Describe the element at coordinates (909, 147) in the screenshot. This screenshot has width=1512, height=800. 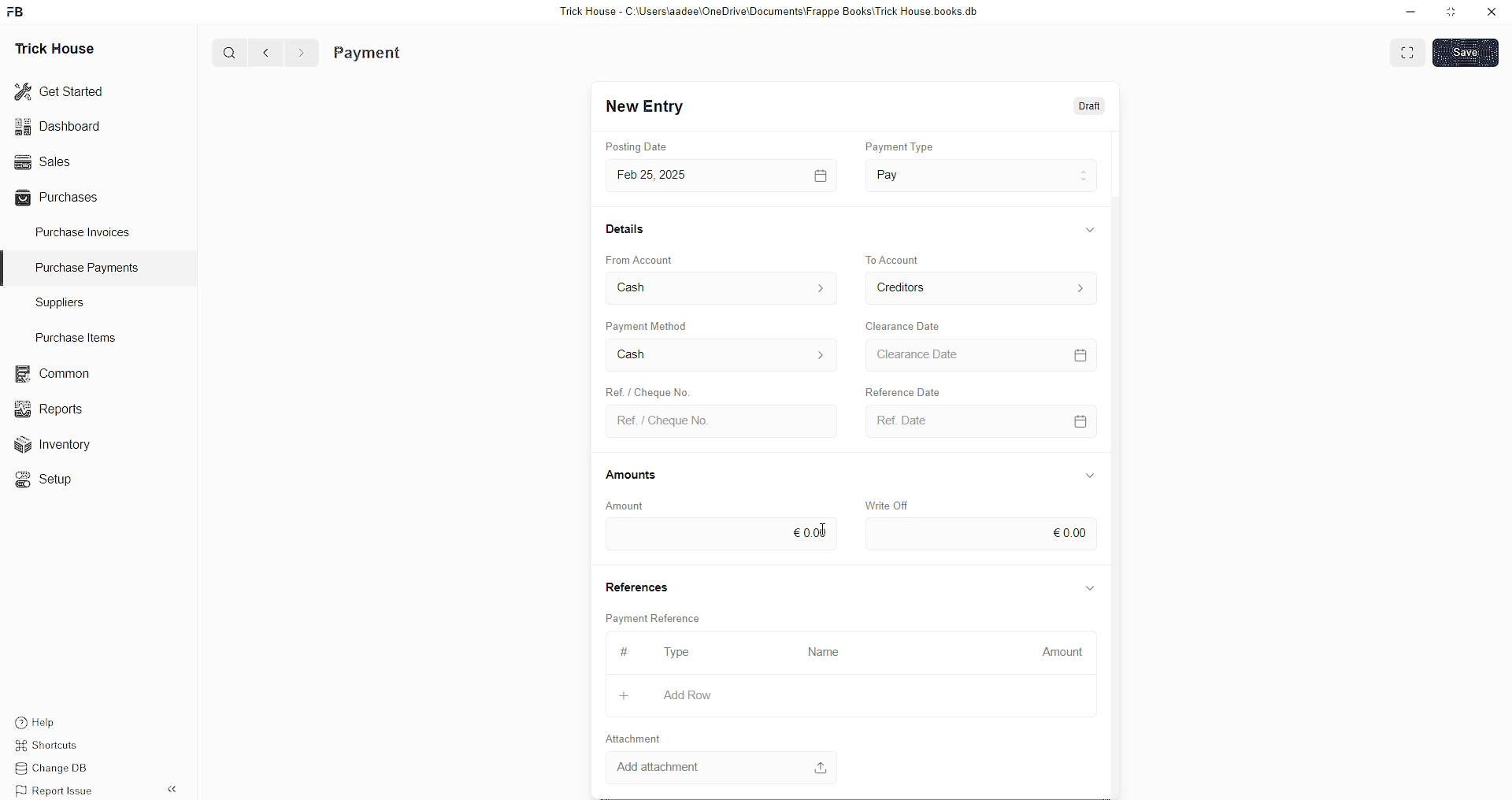
I see `payment type` at that location.